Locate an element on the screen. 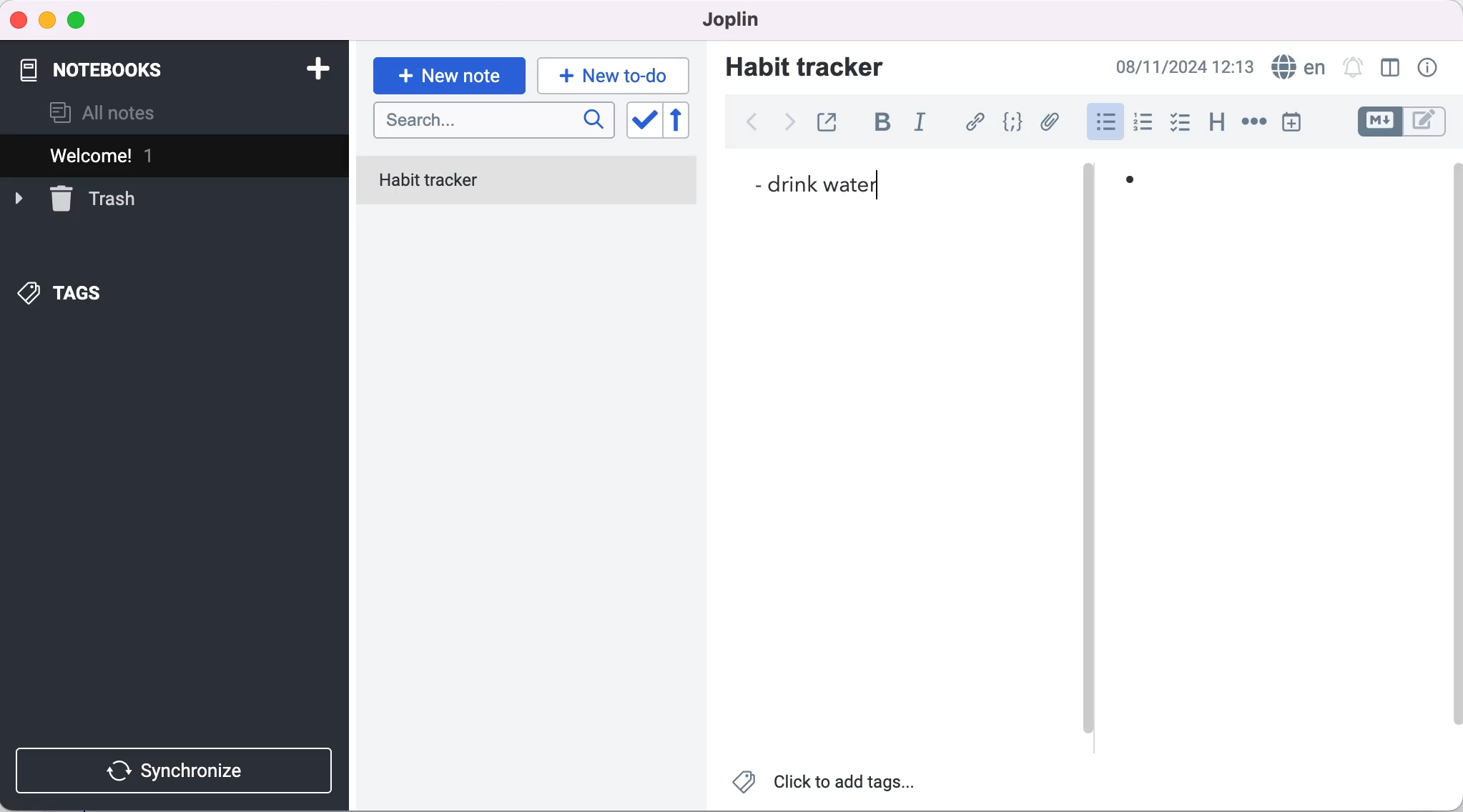 The image size is (1463, 812). tags is located at coordinates (62, 294).